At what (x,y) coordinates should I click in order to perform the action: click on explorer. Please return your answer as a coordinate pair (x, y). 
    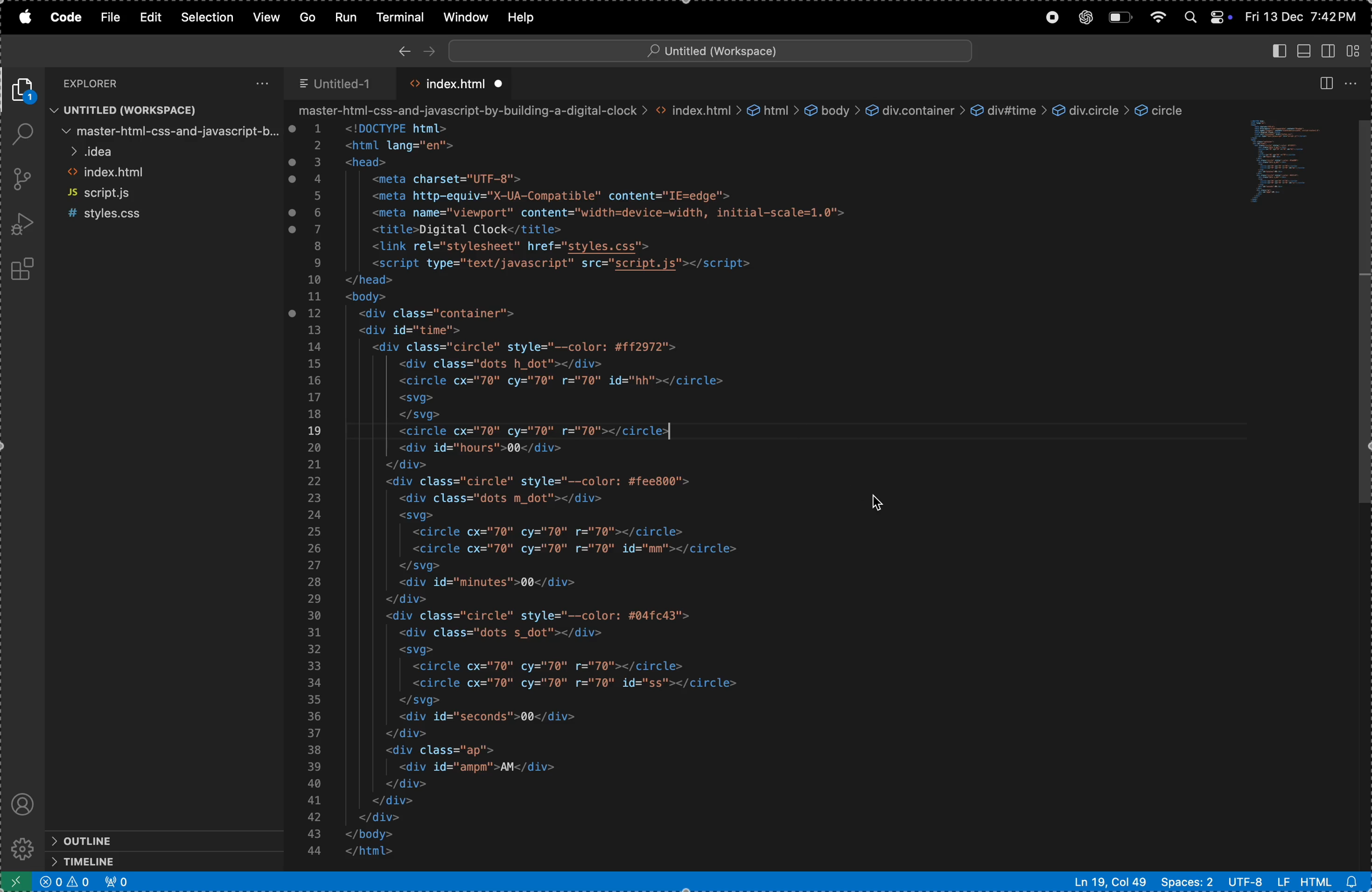
    Looking at the image, I should click on (25, 90).